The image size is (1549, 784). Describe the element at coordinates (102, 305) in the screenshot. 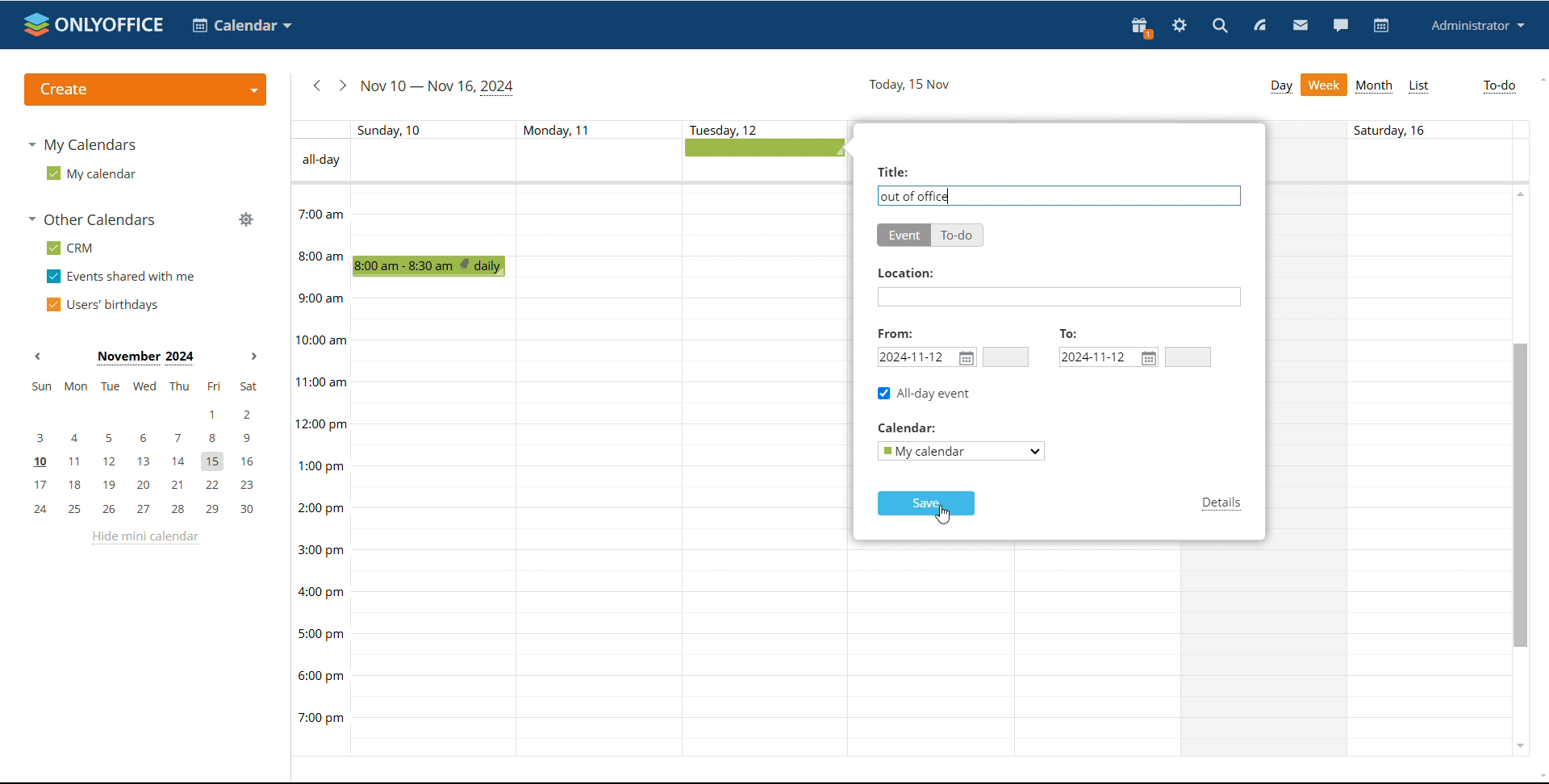

I see `users' birthdays` at that location.